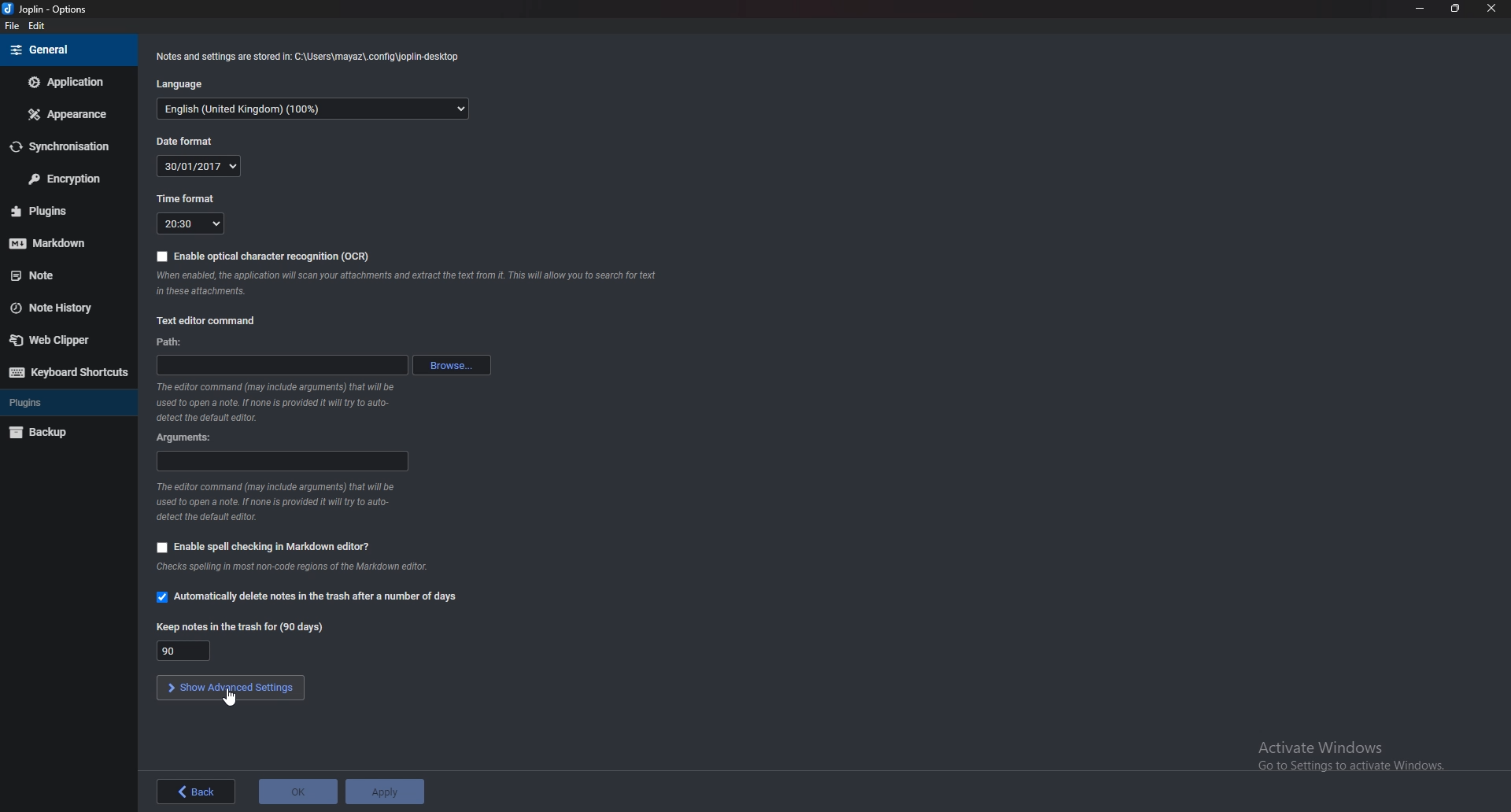 Image resolution: width=1511 pixels, height=812 pixels. What do you see at coordinates (275, 401) in the screenshot?
I see `Info` at bounding box center [275, 401].